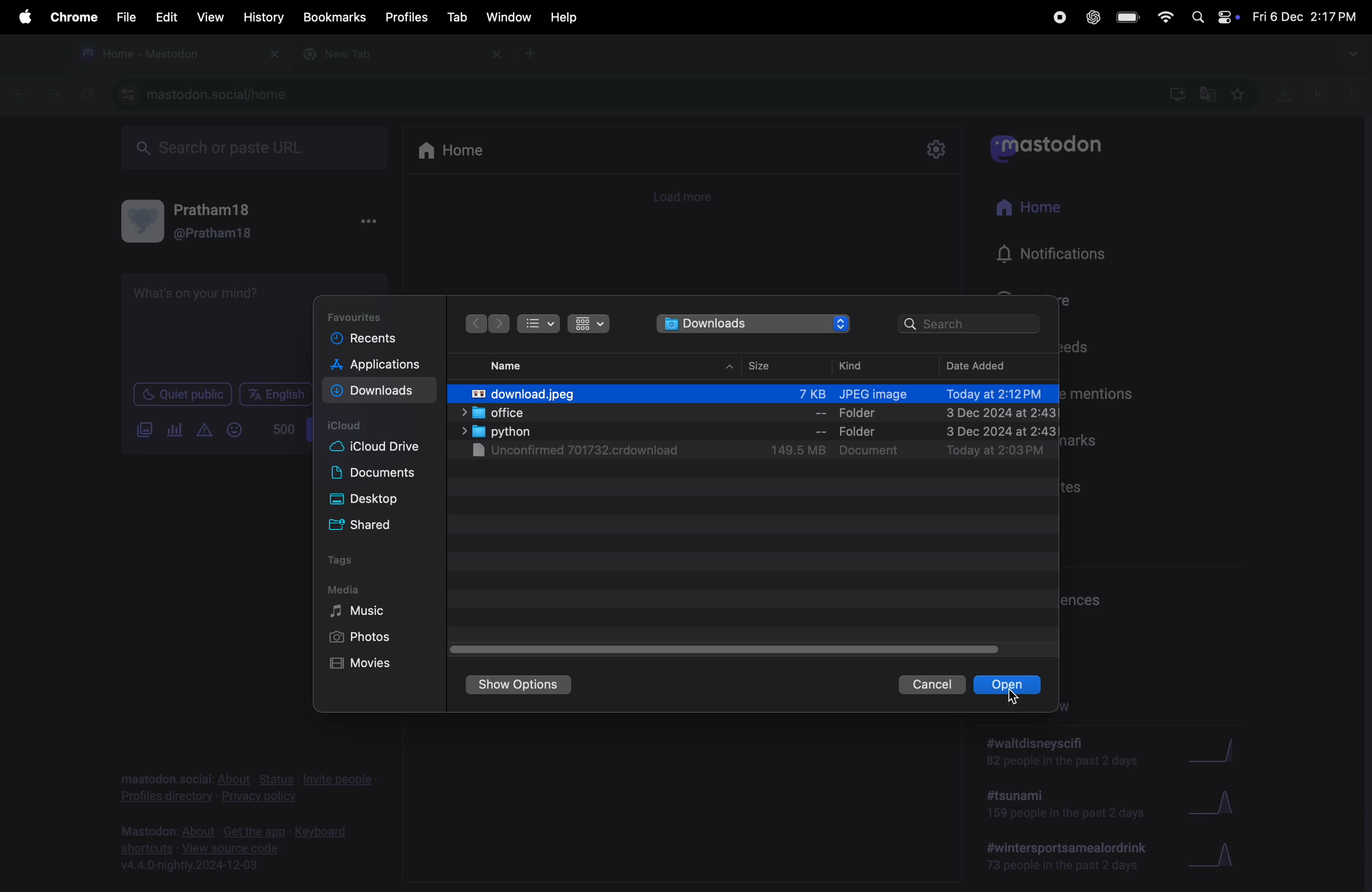  Describe the element at coordinates (752, 432) in the screenshot. I see `python file` at that location.